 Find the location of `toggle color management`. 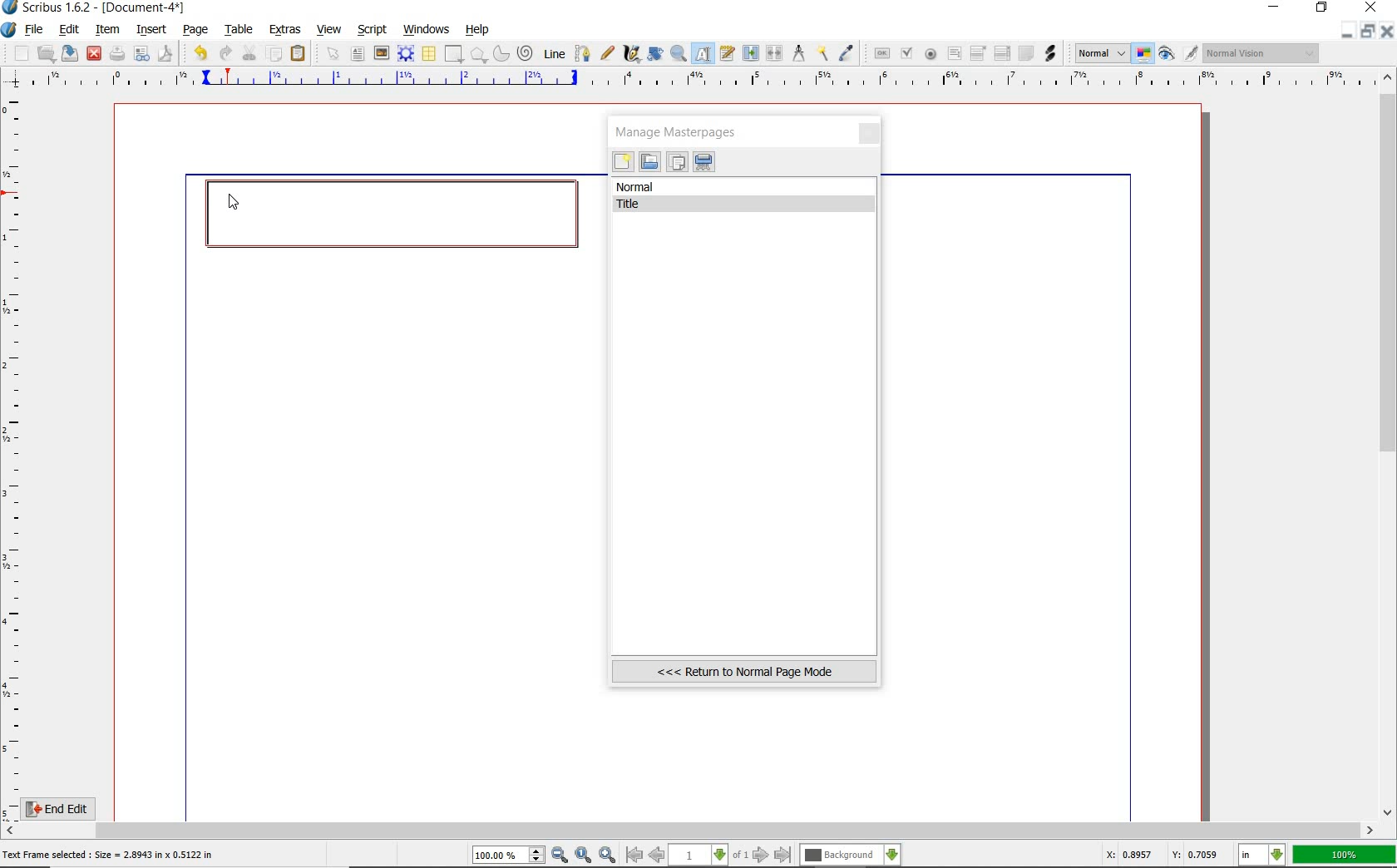

toggle color management is located at coordinates (1144, 55).